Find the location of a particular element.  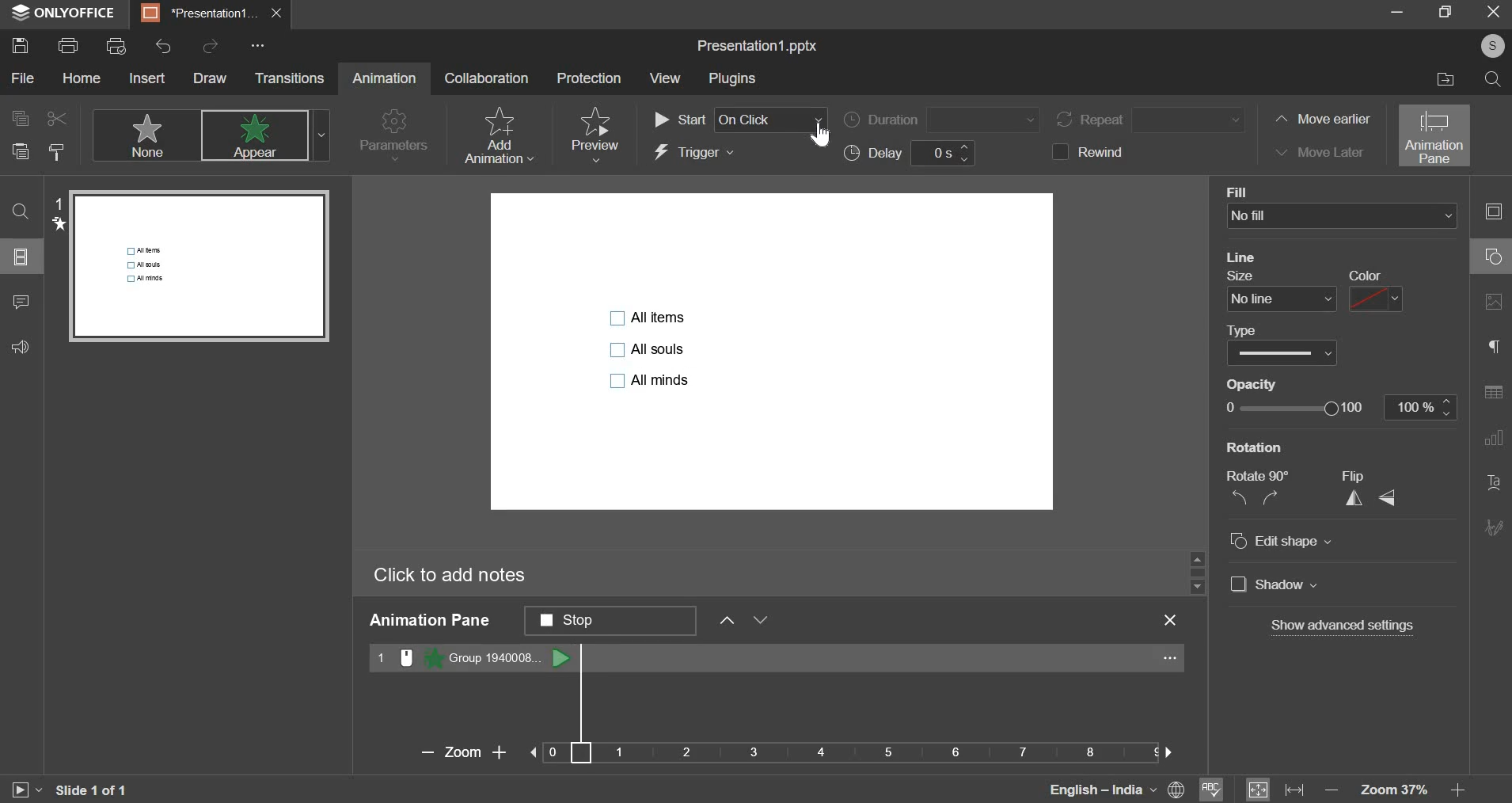

feedback is located at coordinates (28, 346).